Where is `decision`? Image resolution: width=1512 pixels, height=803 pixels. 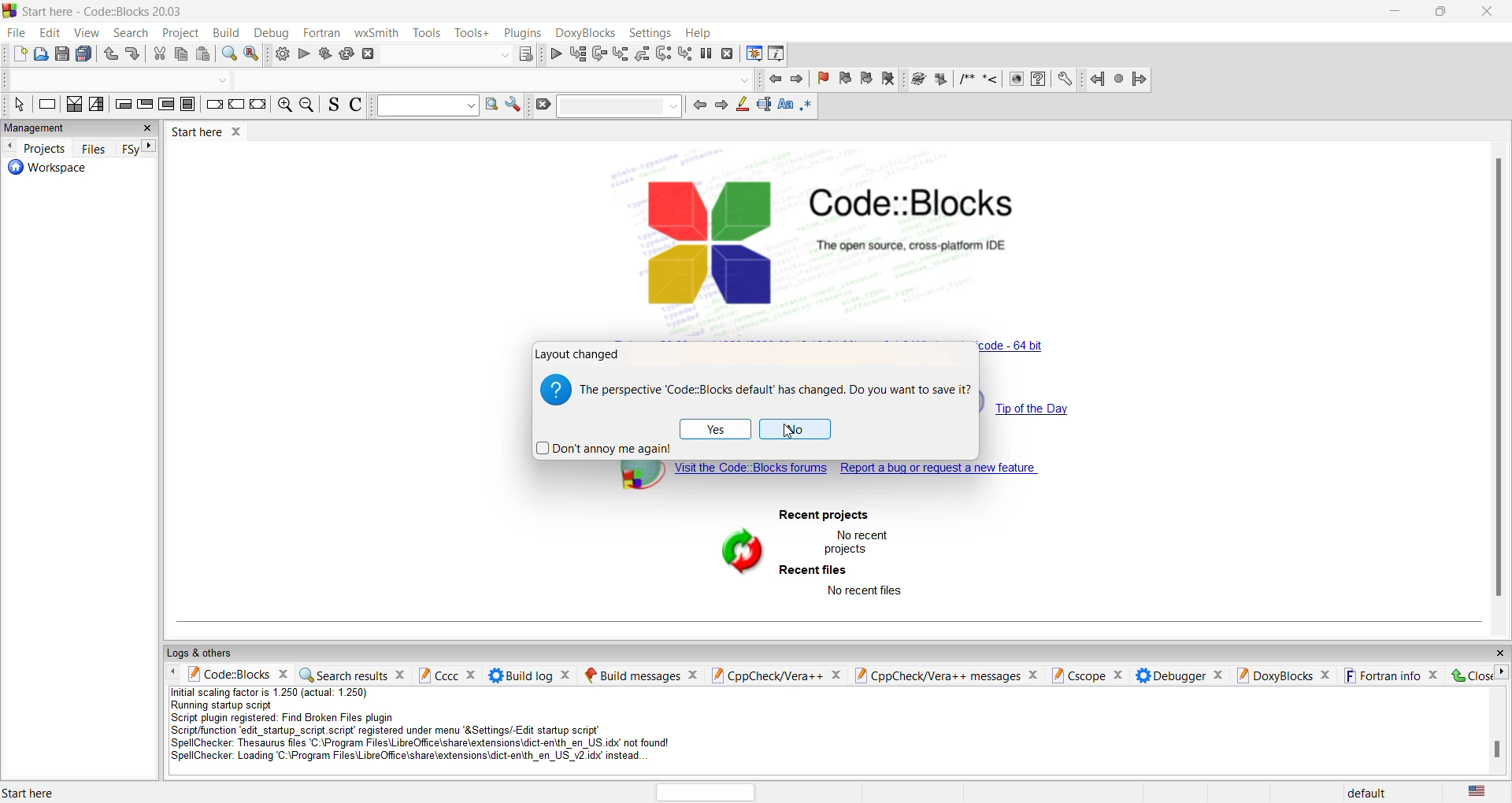 decision is located at coordinates (76, 106).